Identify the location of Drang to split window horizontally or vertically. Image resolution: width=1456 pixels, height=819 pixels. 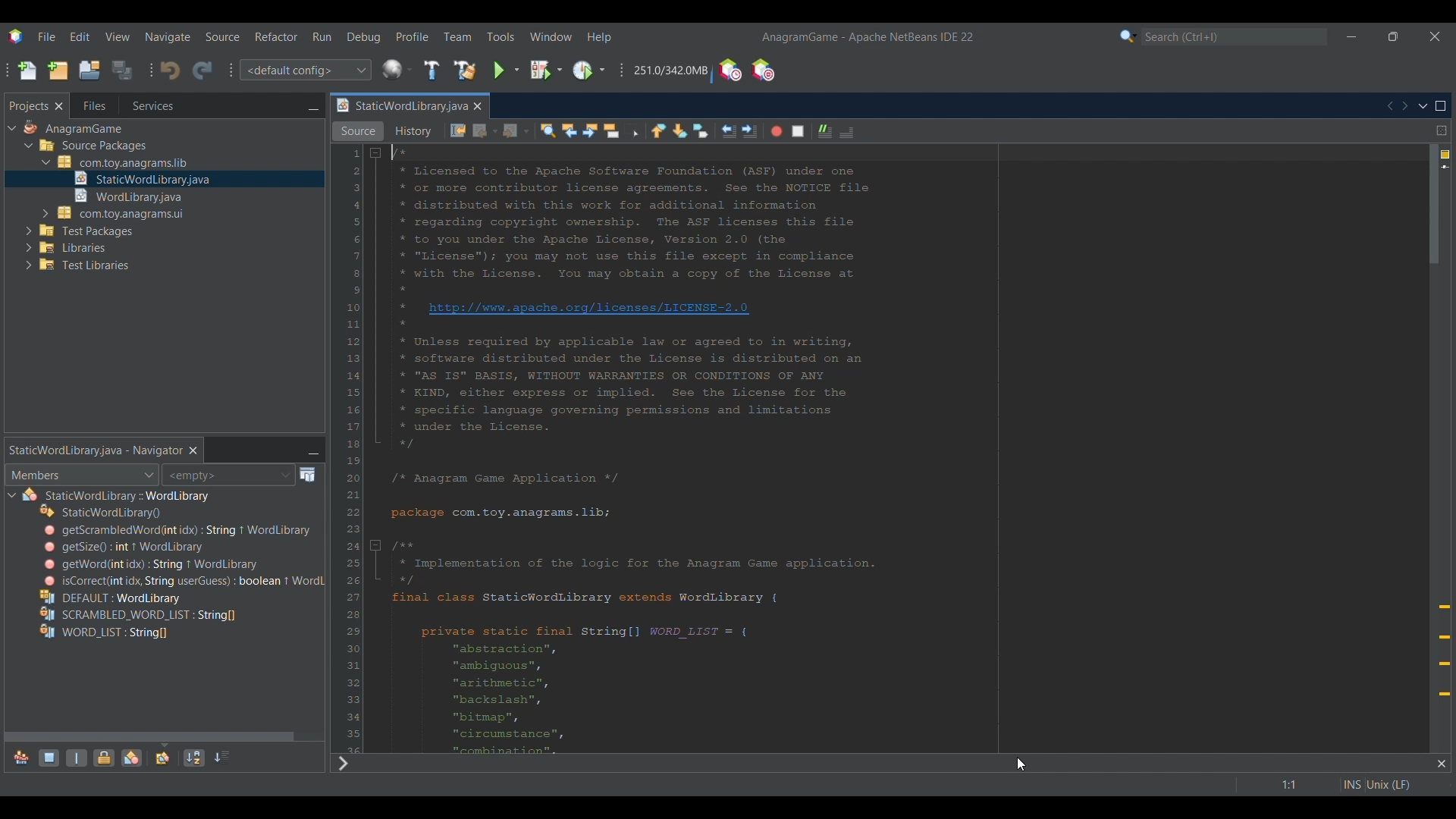
(1442, 130).